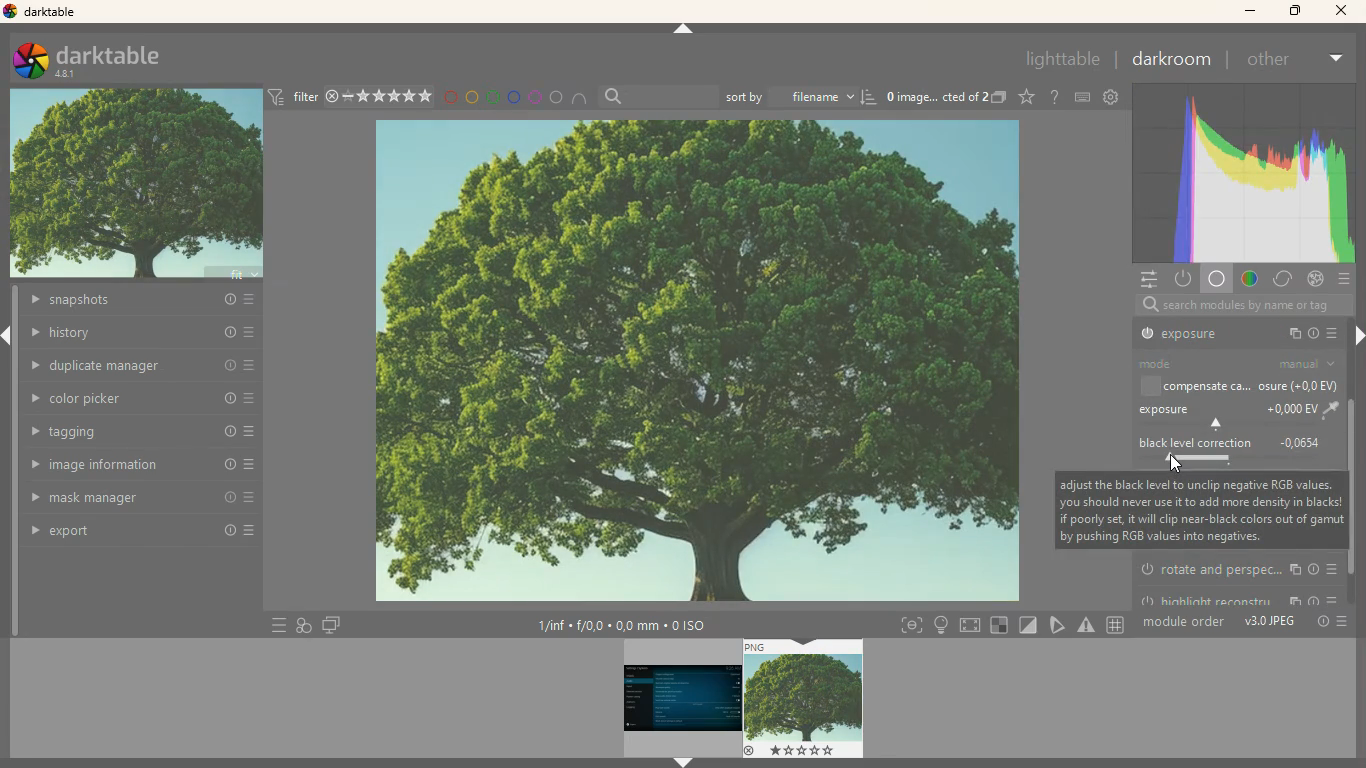 This screenshot has height=768, width=1366. Describe the element at coordinates (692, 357) in the screenshot. I see `image` at that location.